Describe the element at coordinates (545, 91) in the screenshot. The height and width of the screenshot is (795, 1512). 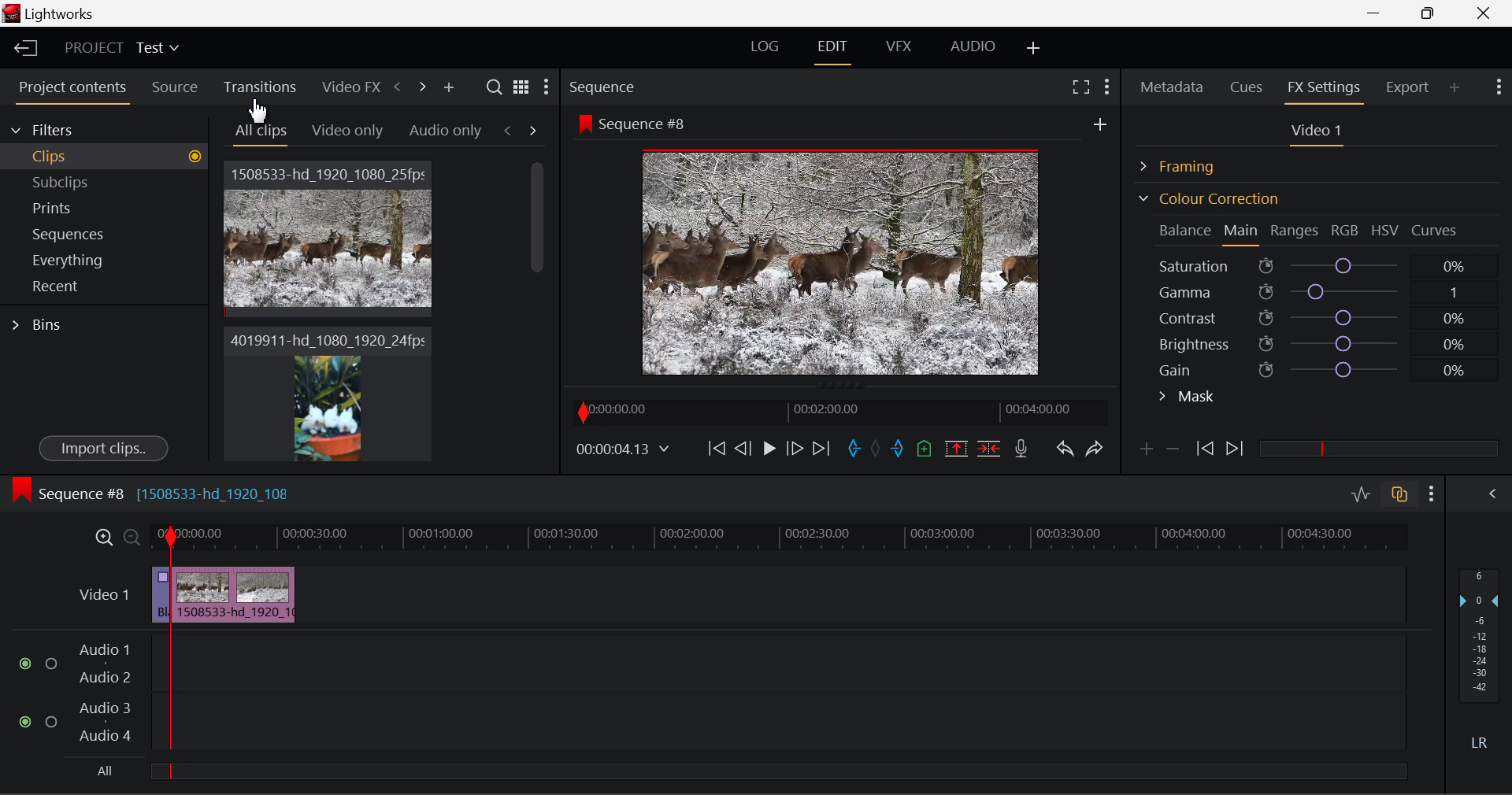
I see `Show Settings` at that location.